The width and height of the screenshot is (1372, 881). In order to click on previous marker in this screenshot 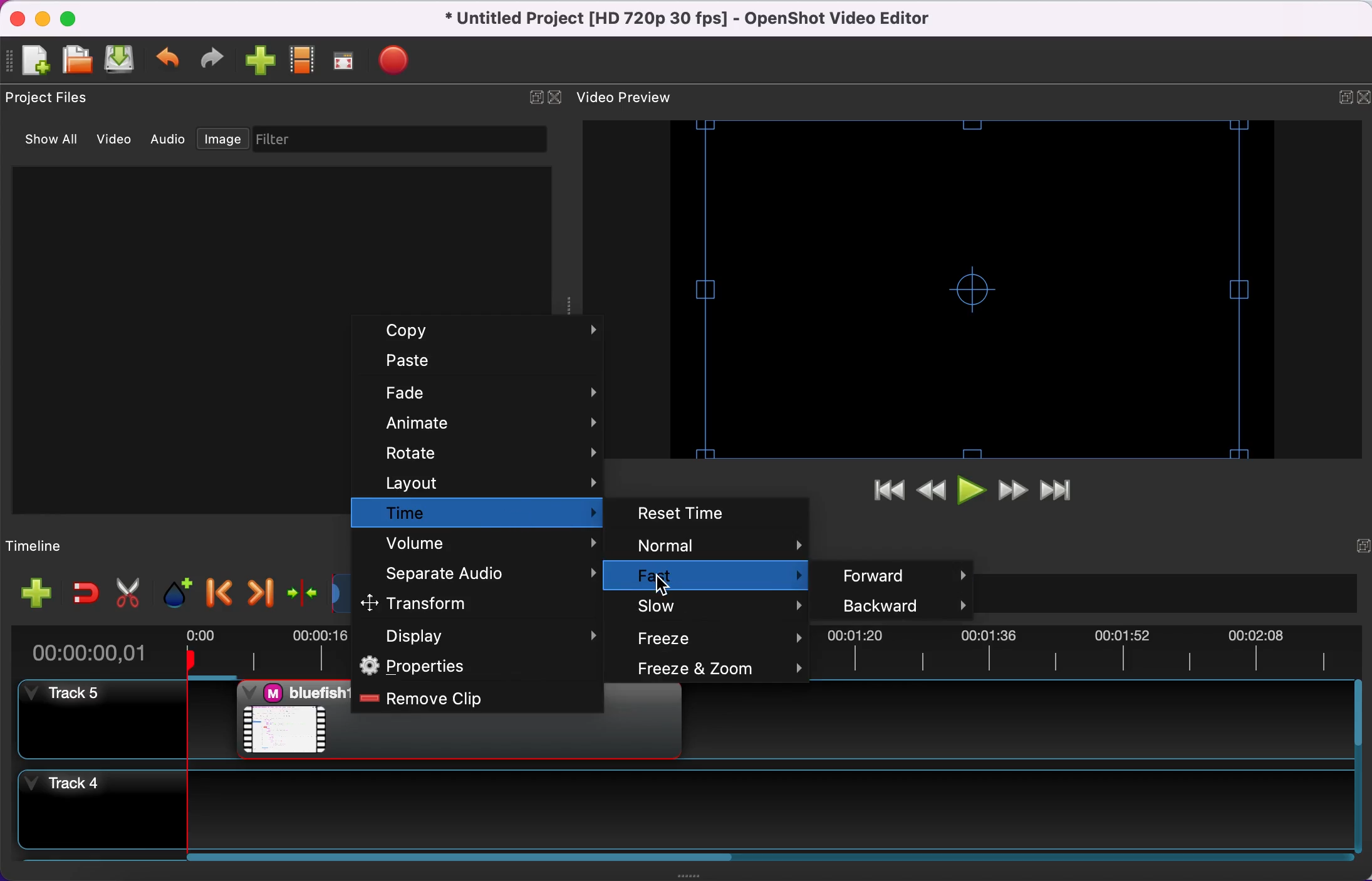, I will do `click(217, 593)`.